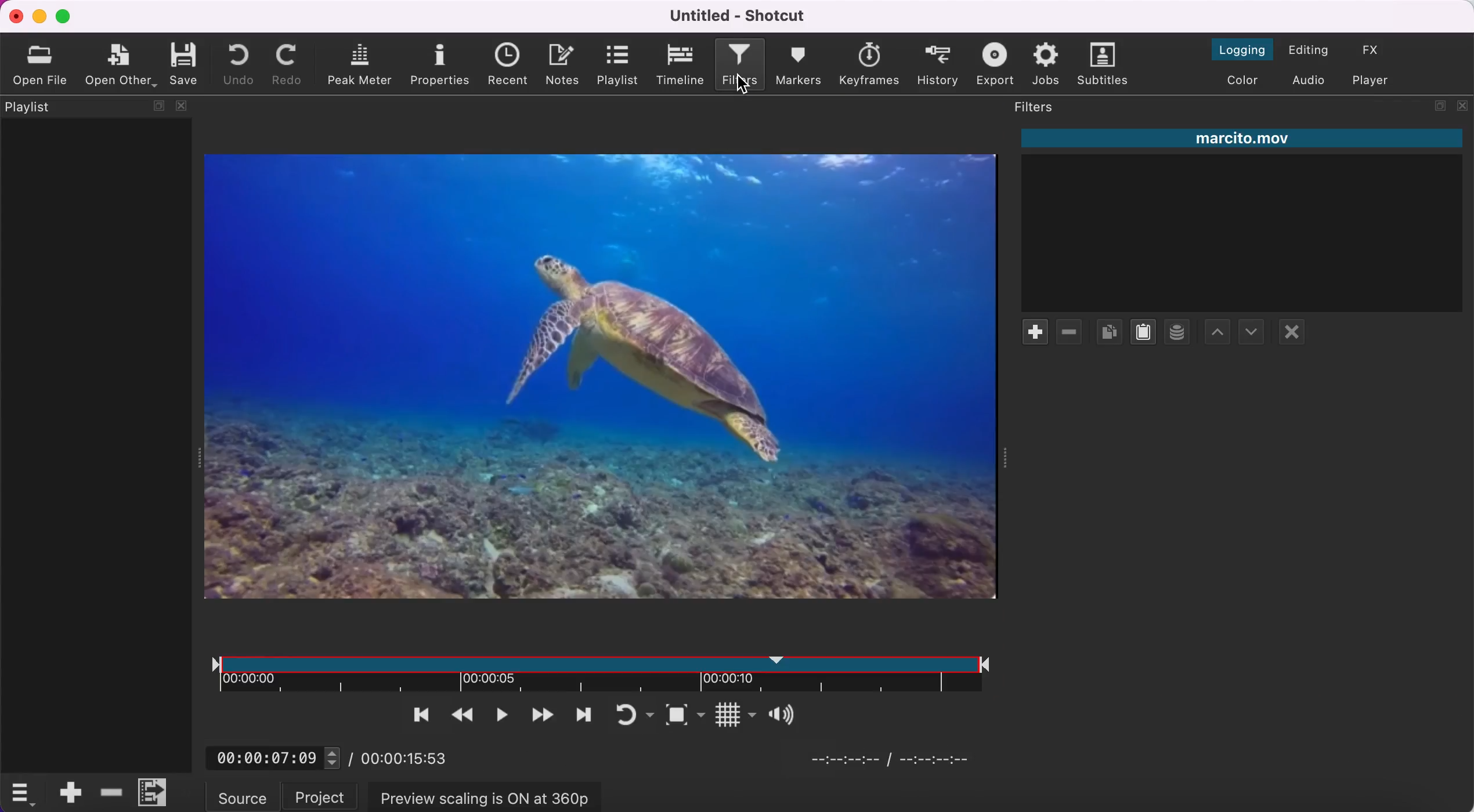  I want to click on menu, so click(156, 791).